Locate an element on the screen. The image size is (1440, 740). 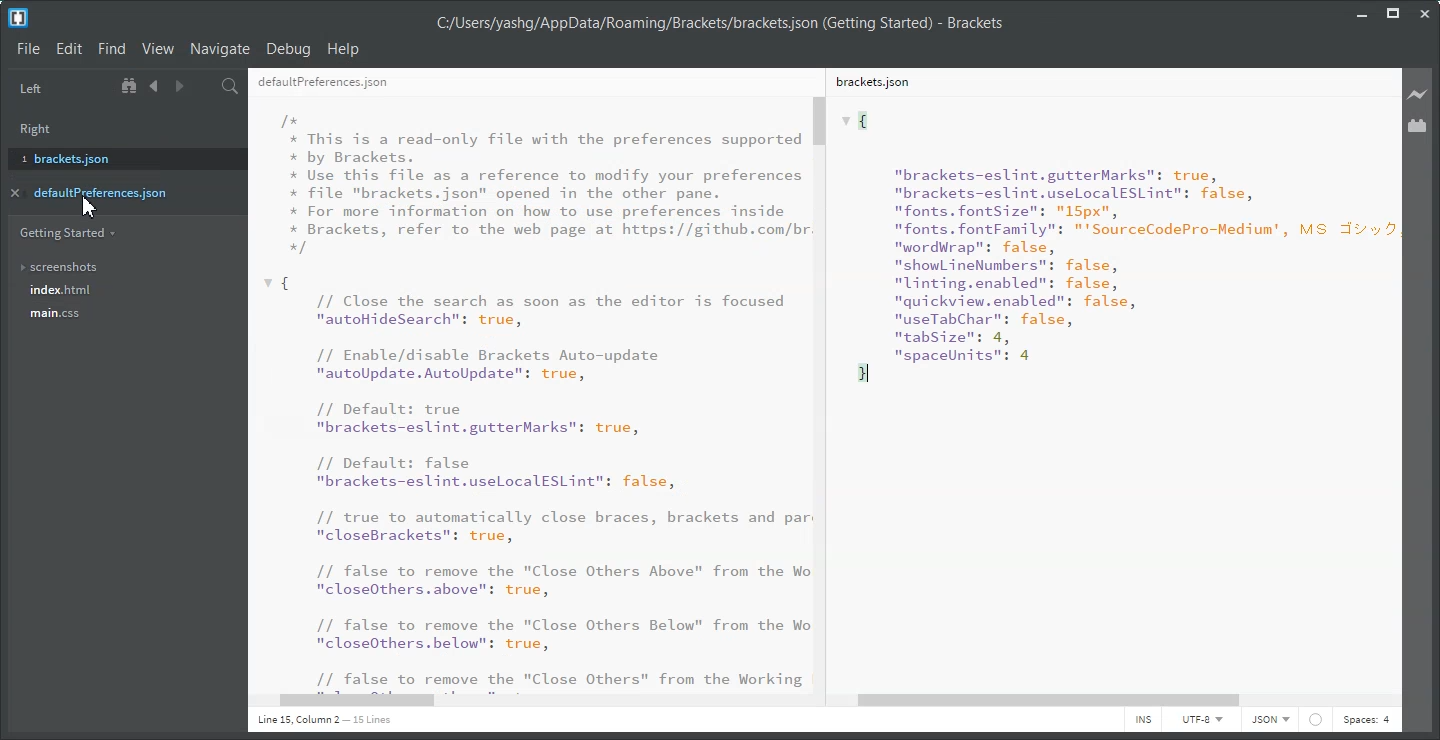
brackets.json File is located at coordinates (1103, 81).